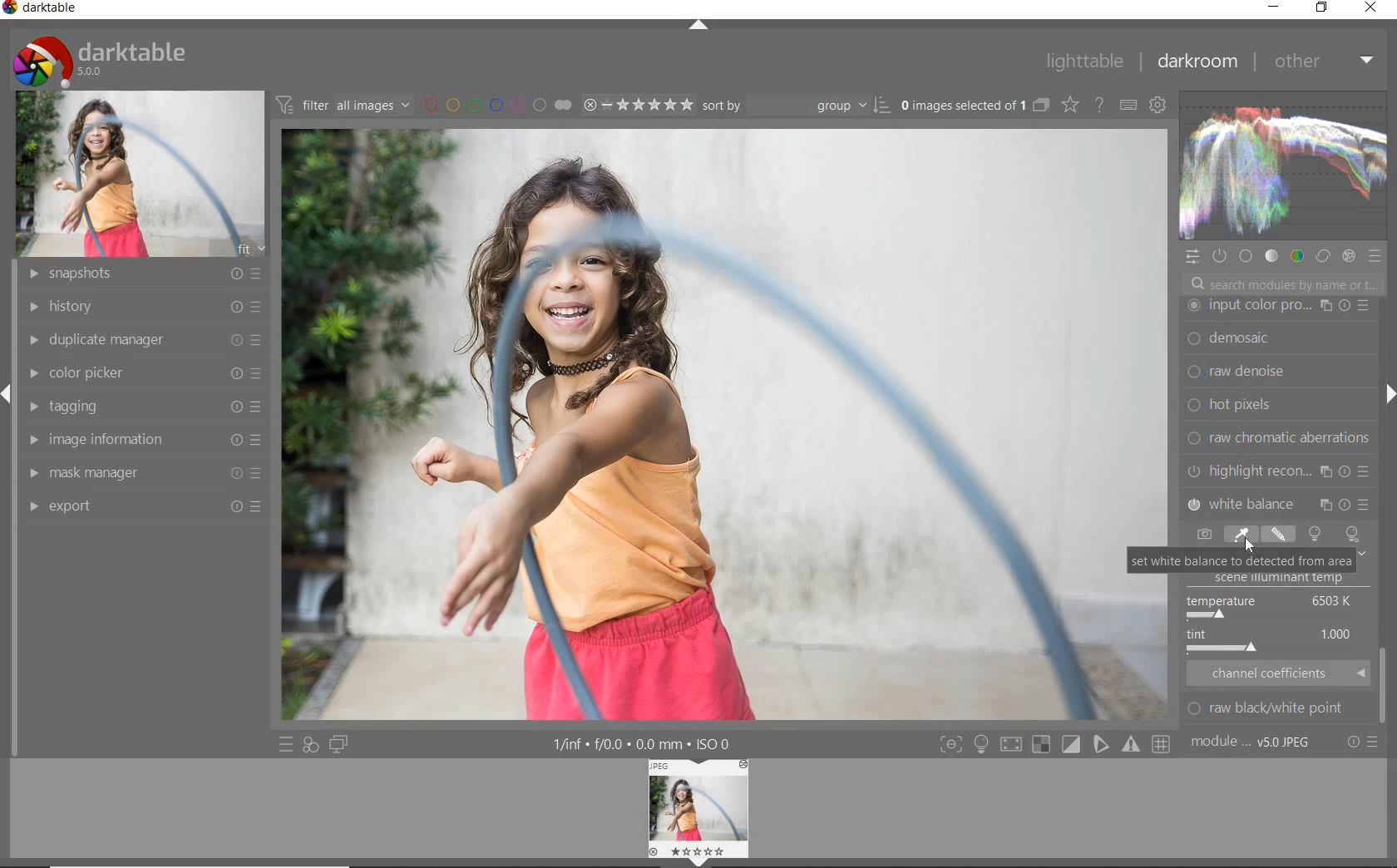 This screenshot has width=1397, height=868. Describe the element at coordinates (1071, 744) in the screenshot. I see `toggle mode ` at that location.